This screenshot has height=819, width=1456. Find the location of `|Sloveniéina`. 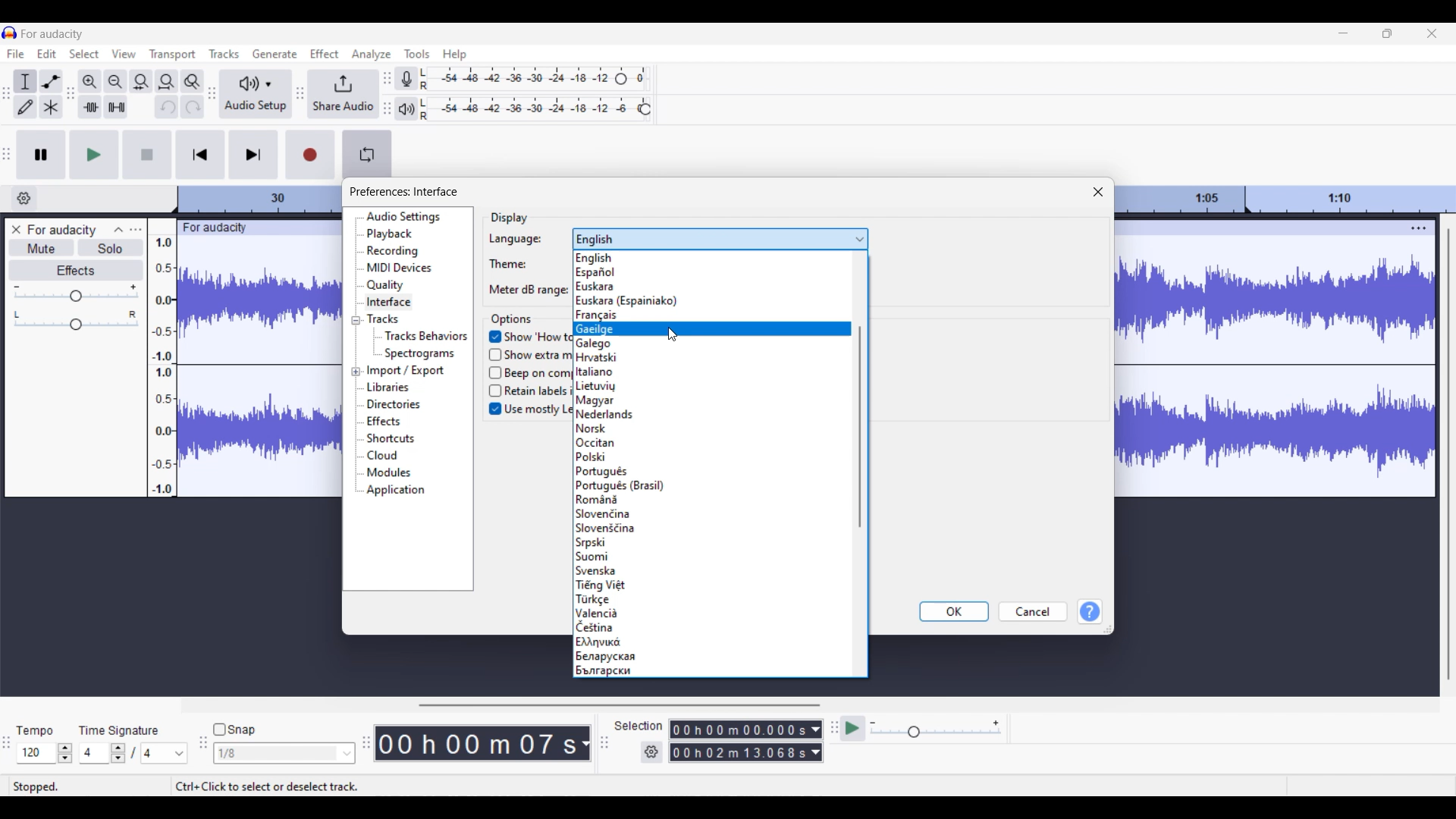

|Sloveniéina is located at coordinates (605, 527).